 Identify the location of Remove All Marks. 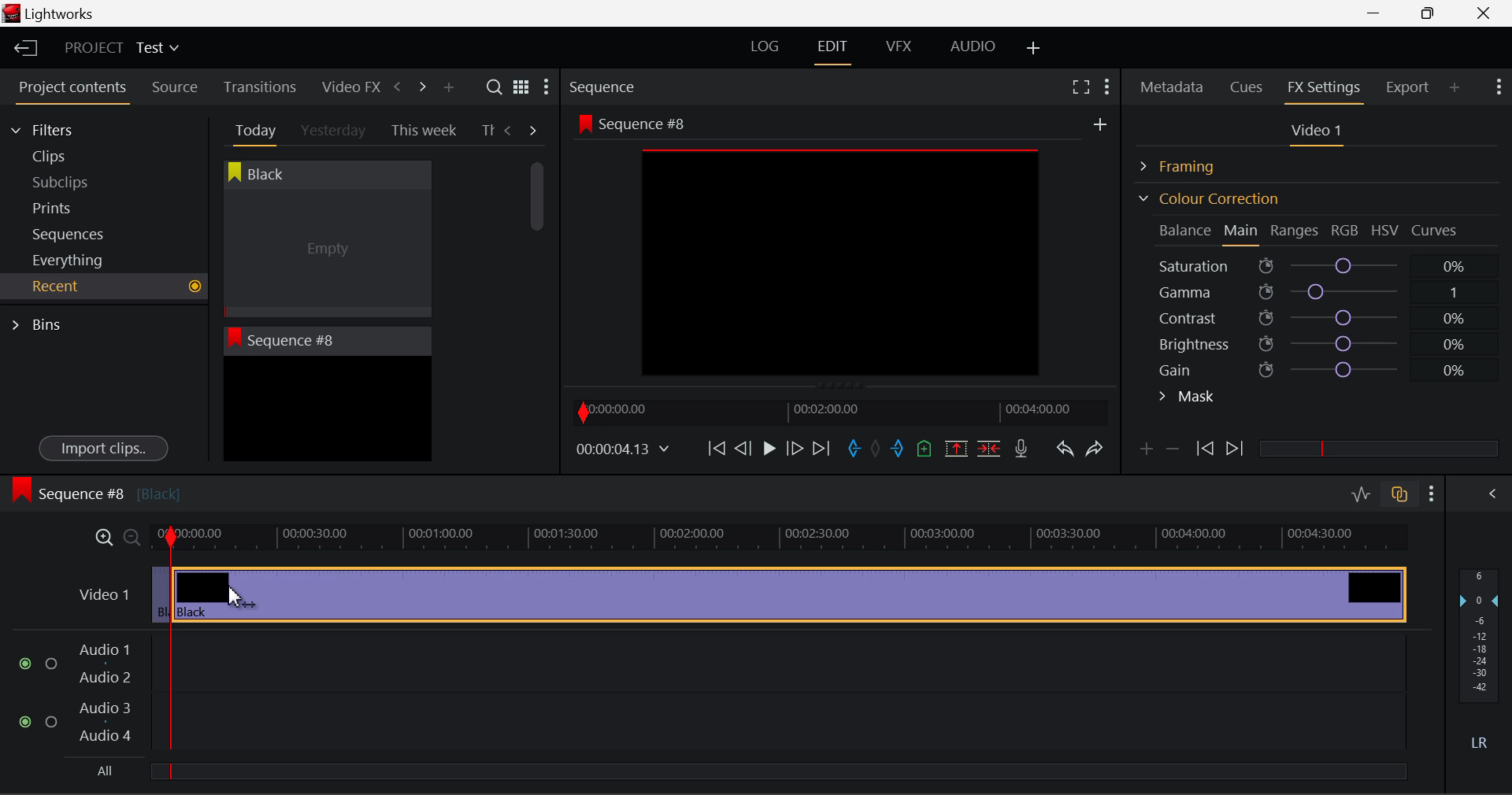
(877, 450).